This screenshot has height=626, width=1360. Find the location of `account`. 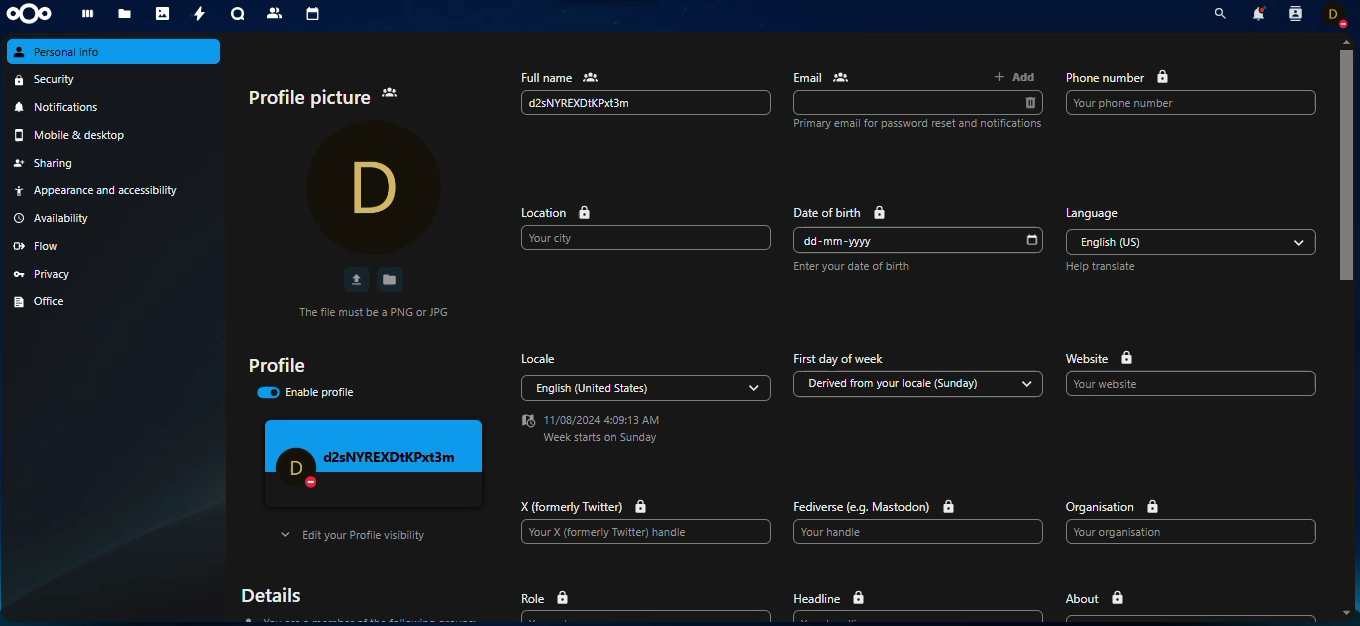

account is located at coordinates (1333, 14).